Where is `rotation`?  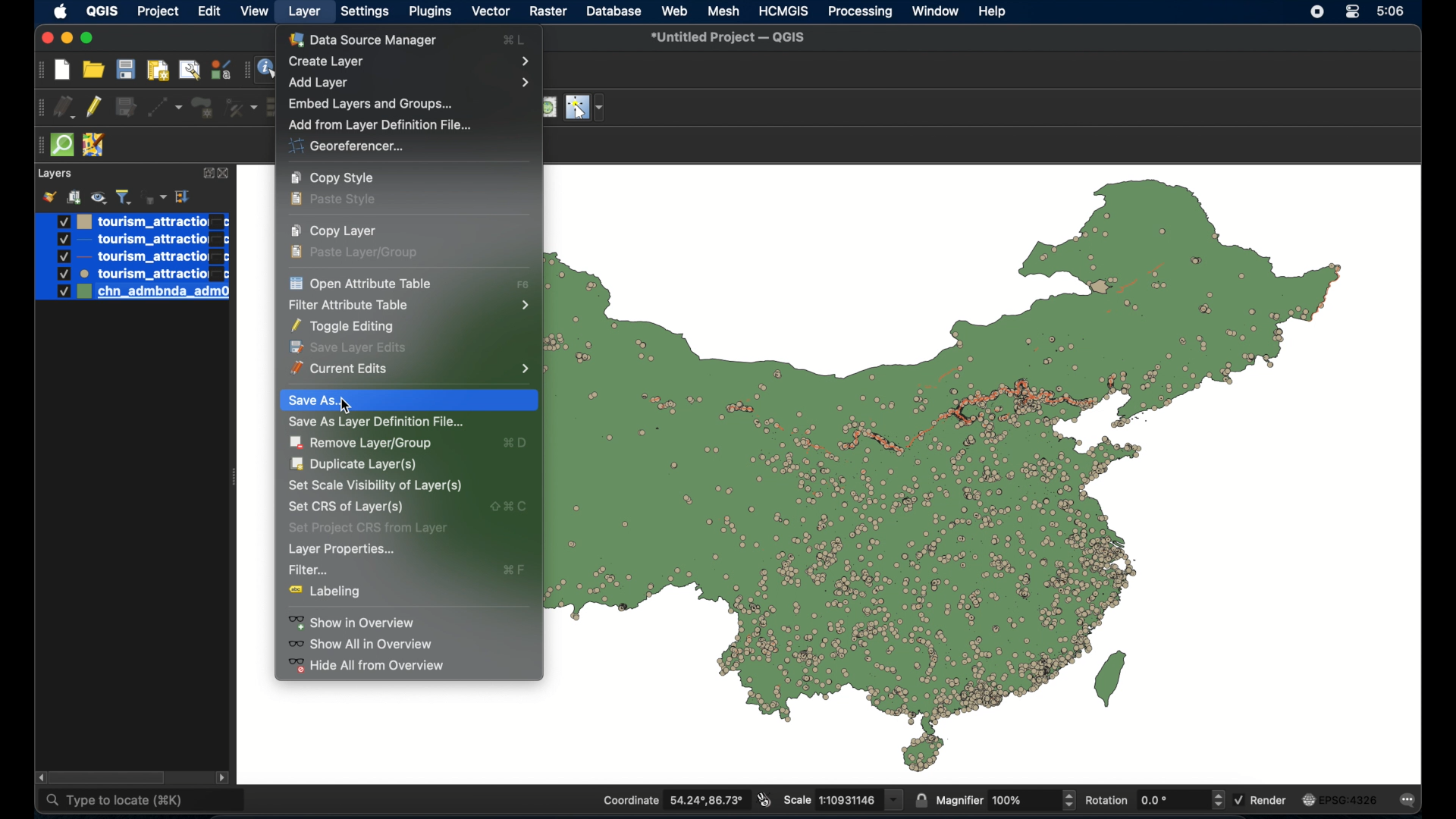
rotation is located at coordinates (1153, 799).